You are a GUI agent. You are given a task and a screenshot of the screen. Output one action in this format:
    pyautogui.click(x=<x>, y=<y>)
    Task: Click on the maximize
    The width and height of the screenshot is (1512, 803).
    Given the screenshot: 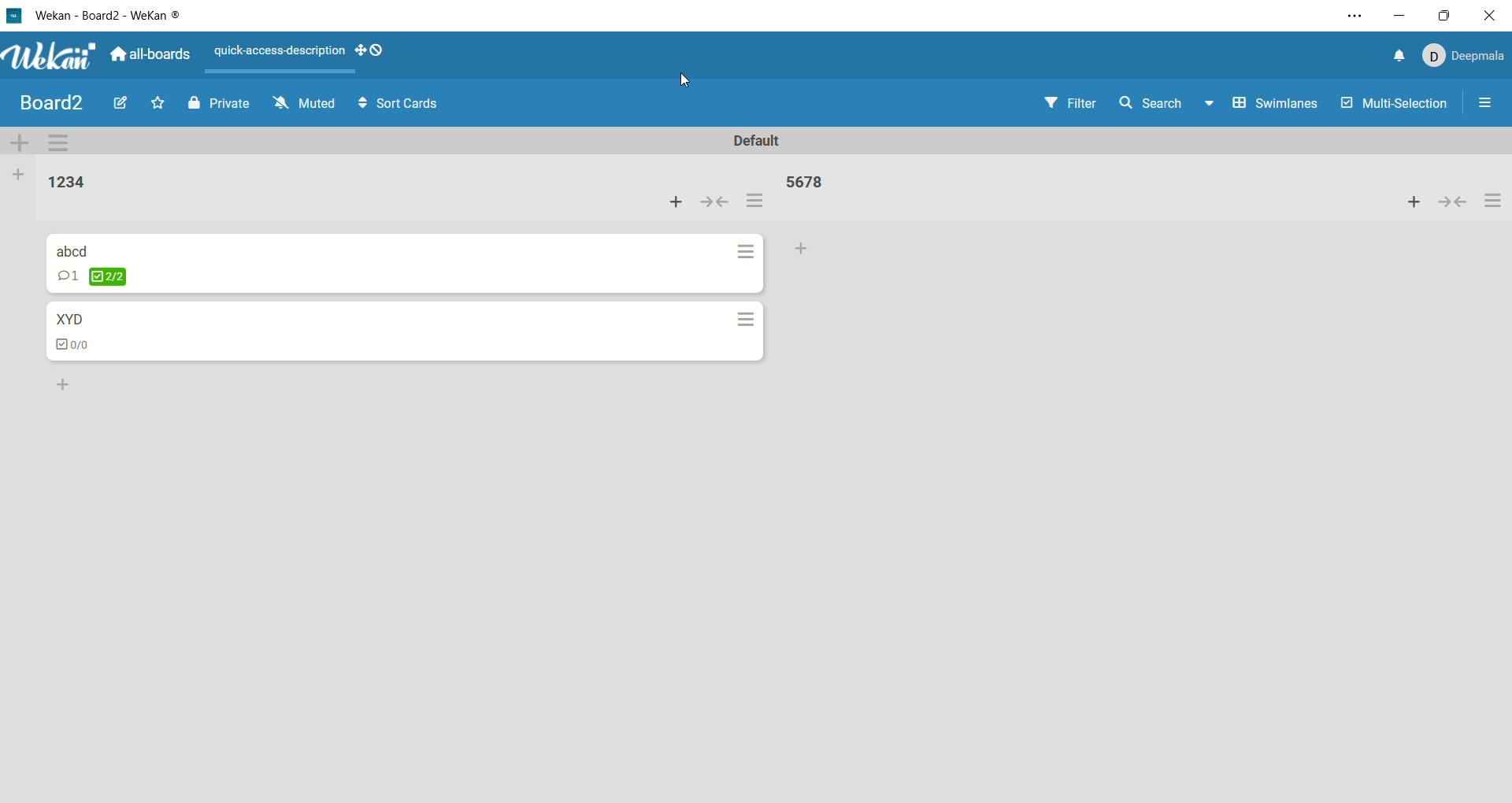 What is the action you would take?
    pyautogui.click(x=1443, y=14)
    